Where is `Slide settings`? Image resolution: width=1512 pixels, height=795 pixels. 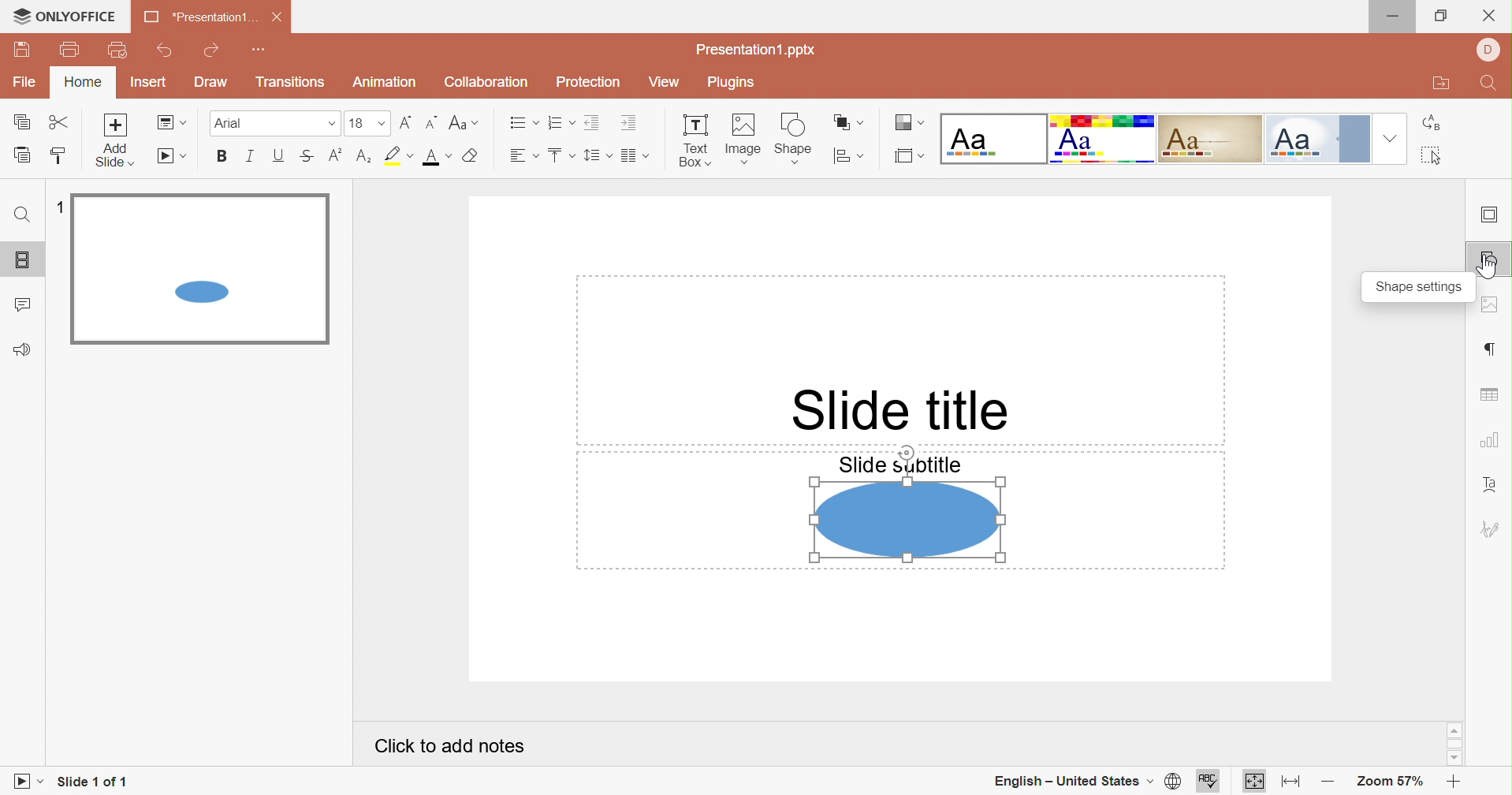 Slide settings is located at coordinates (1491, 215).